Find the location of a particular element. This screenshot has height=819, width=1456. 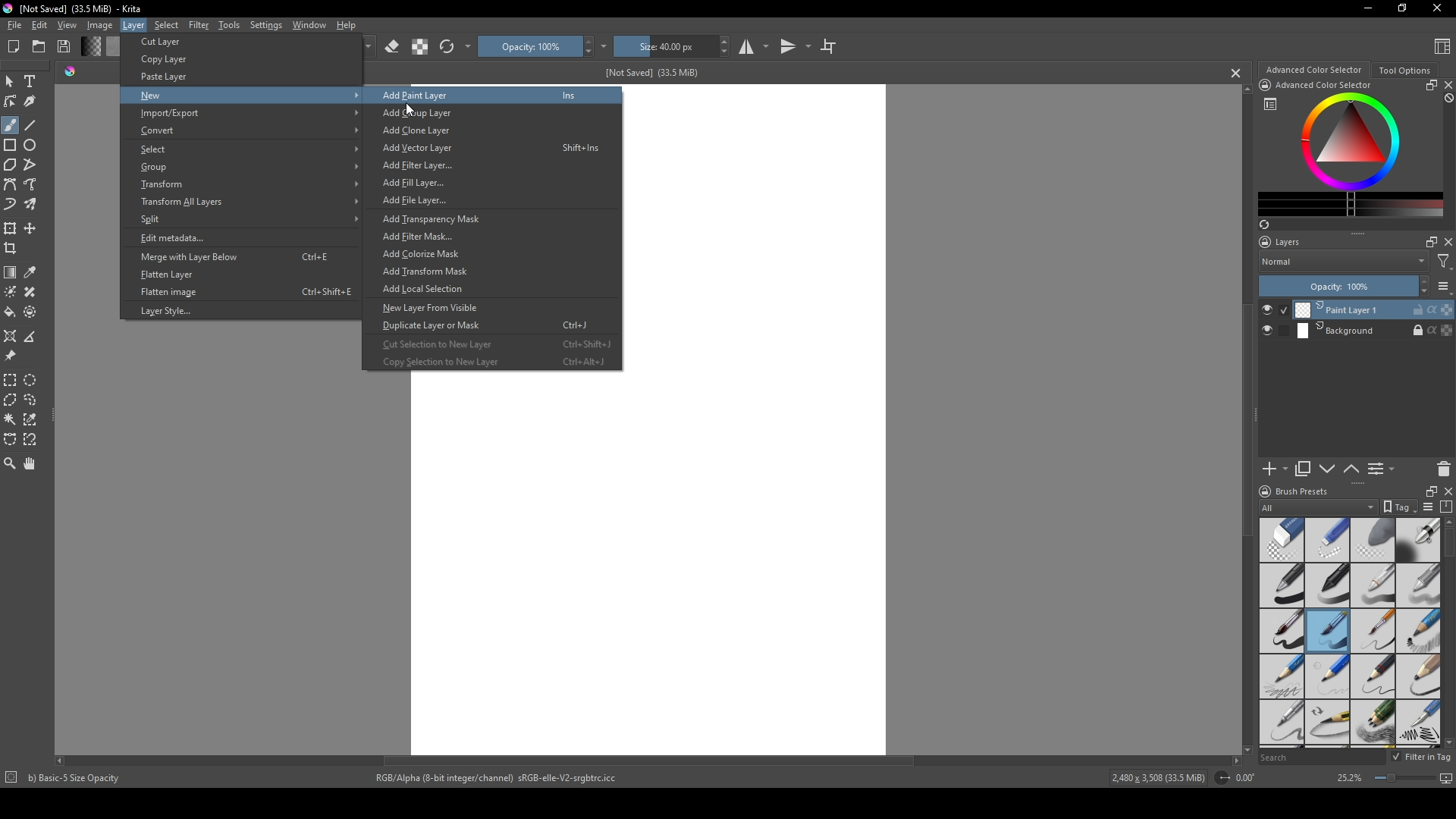

close is located at coordinates (1447, 242).